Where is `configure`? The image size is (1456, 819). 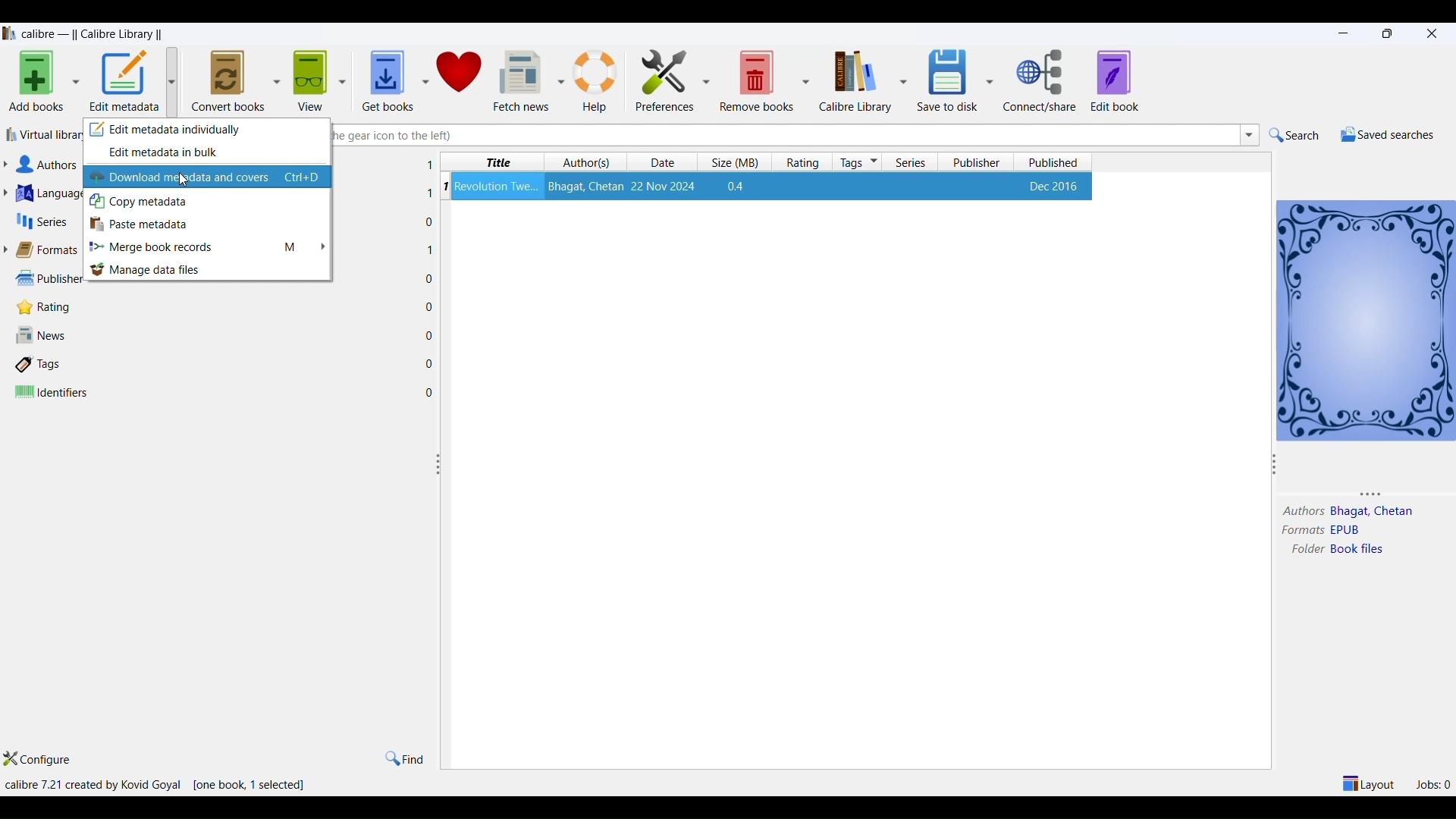 configure is located at coordinates (46, 758).